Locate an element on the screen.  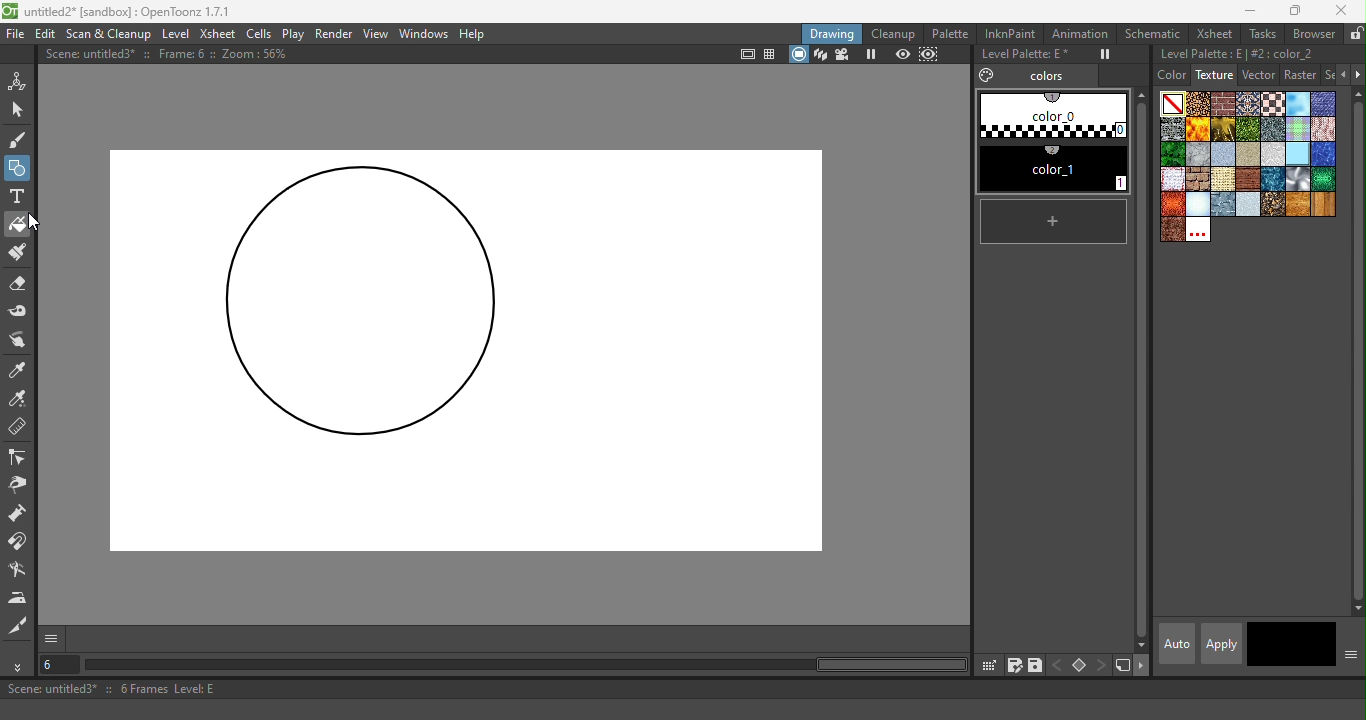
Render is located at coordinates (336, 34).